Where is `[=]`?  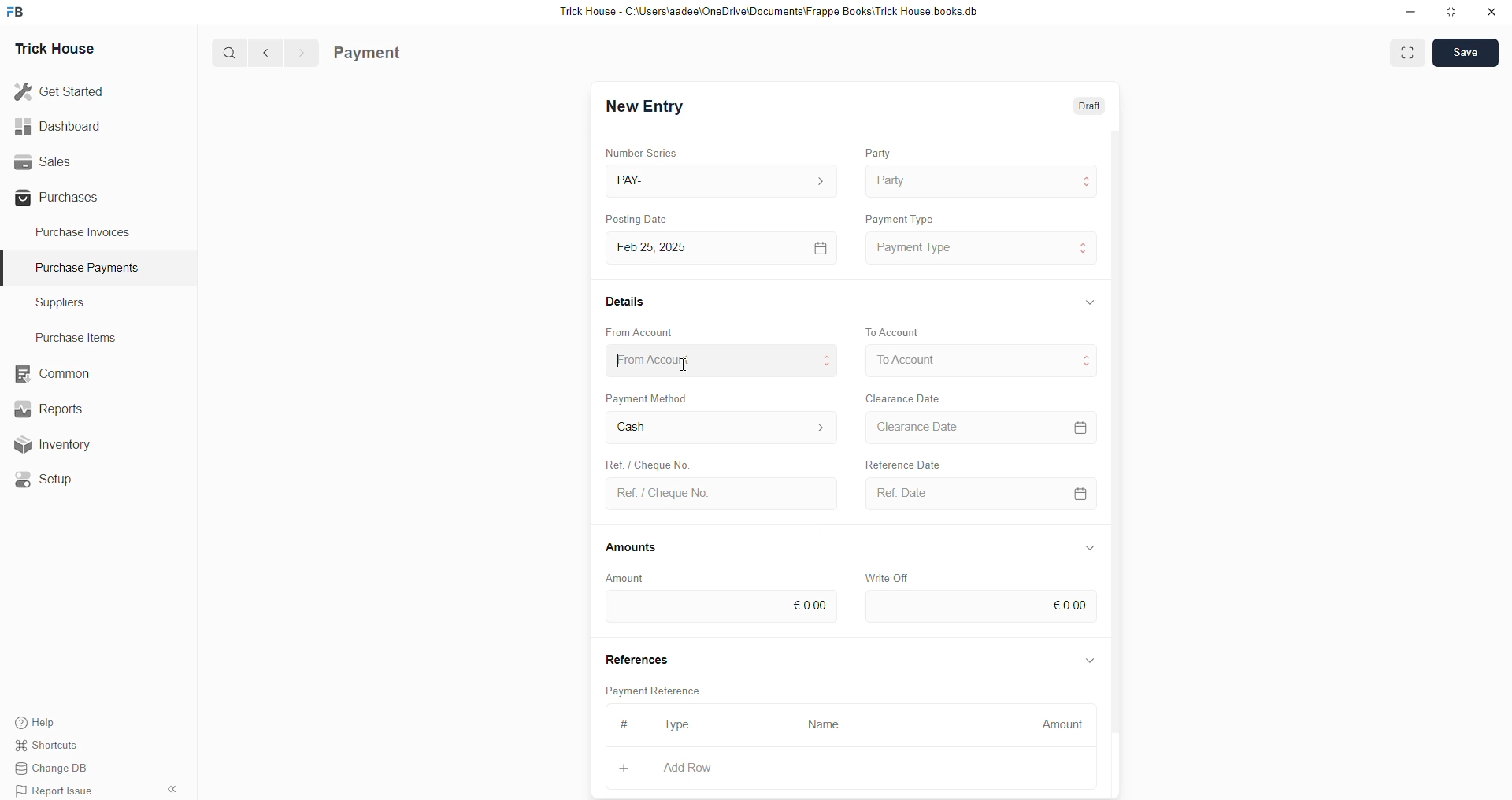
[=] is located at coordinates (821, 247).